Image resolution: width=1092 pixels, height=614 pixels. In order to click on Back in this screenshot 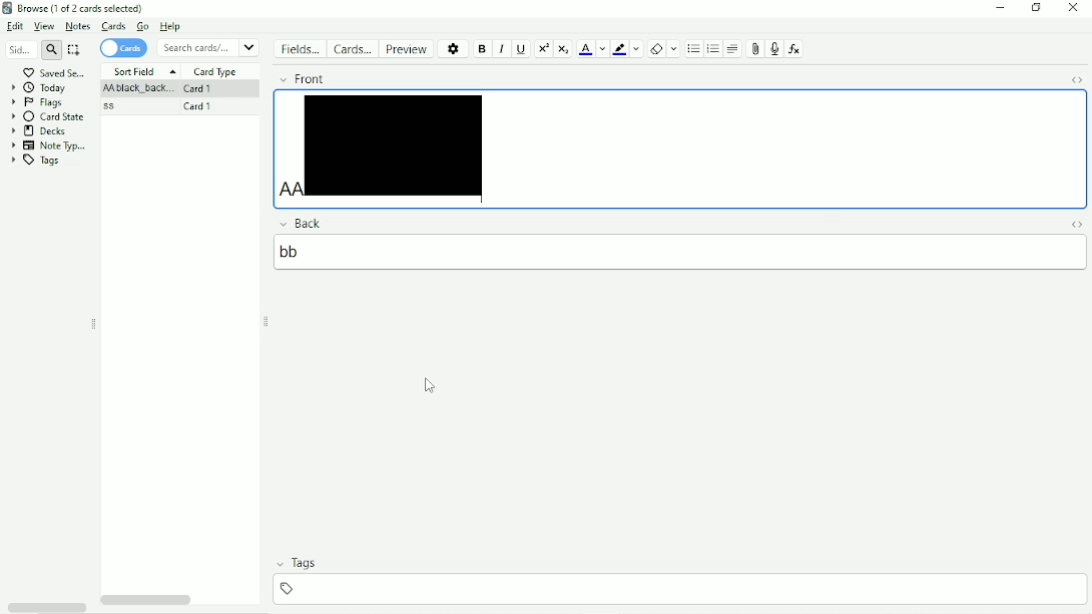, I will do `click(306, 222)`.